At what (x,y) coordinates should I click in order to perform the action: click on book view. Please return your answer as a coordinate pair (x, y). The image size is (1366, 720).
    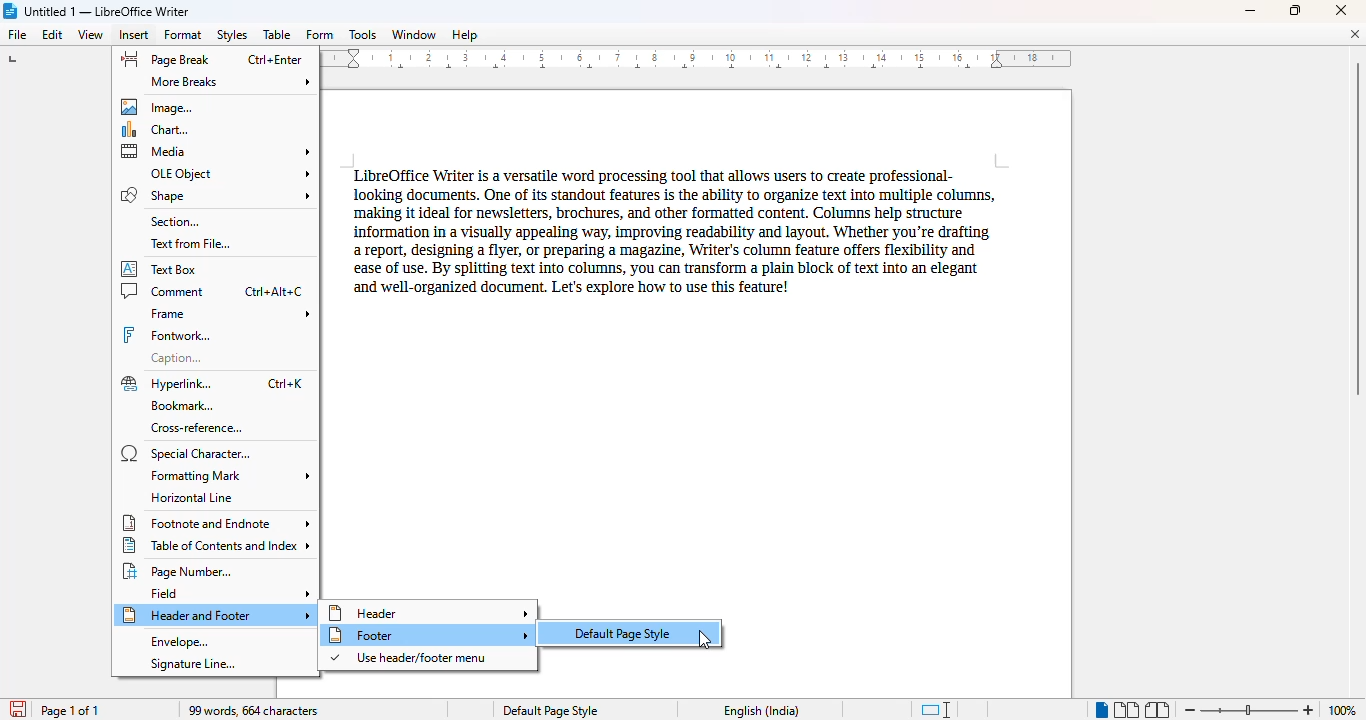
    Looking at the image, I should click on (1156, 710).